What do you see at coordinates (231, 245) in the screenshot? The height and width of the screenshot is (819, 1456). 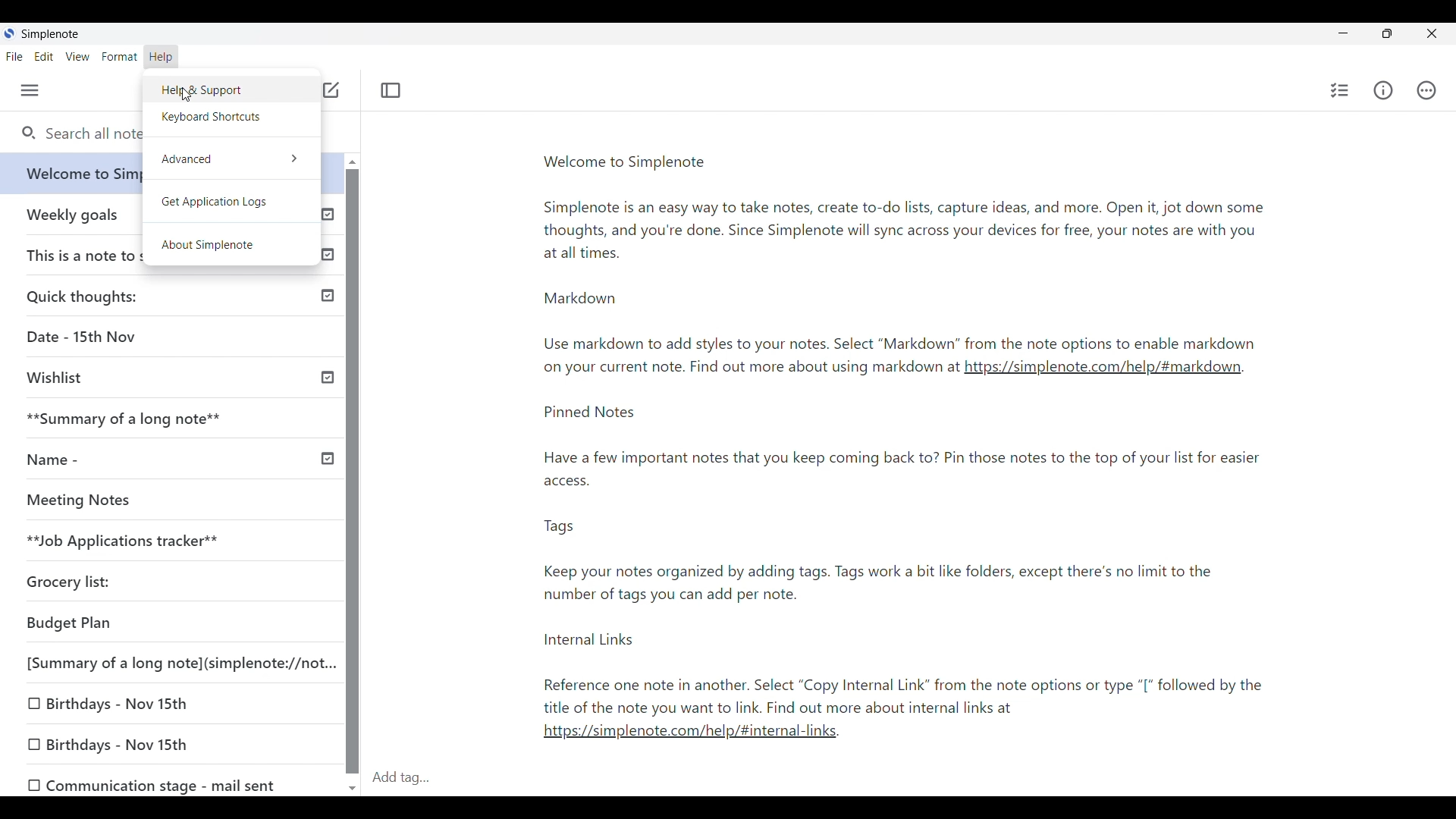 I see `About SimpleNote` at bounding box center [231, 245].